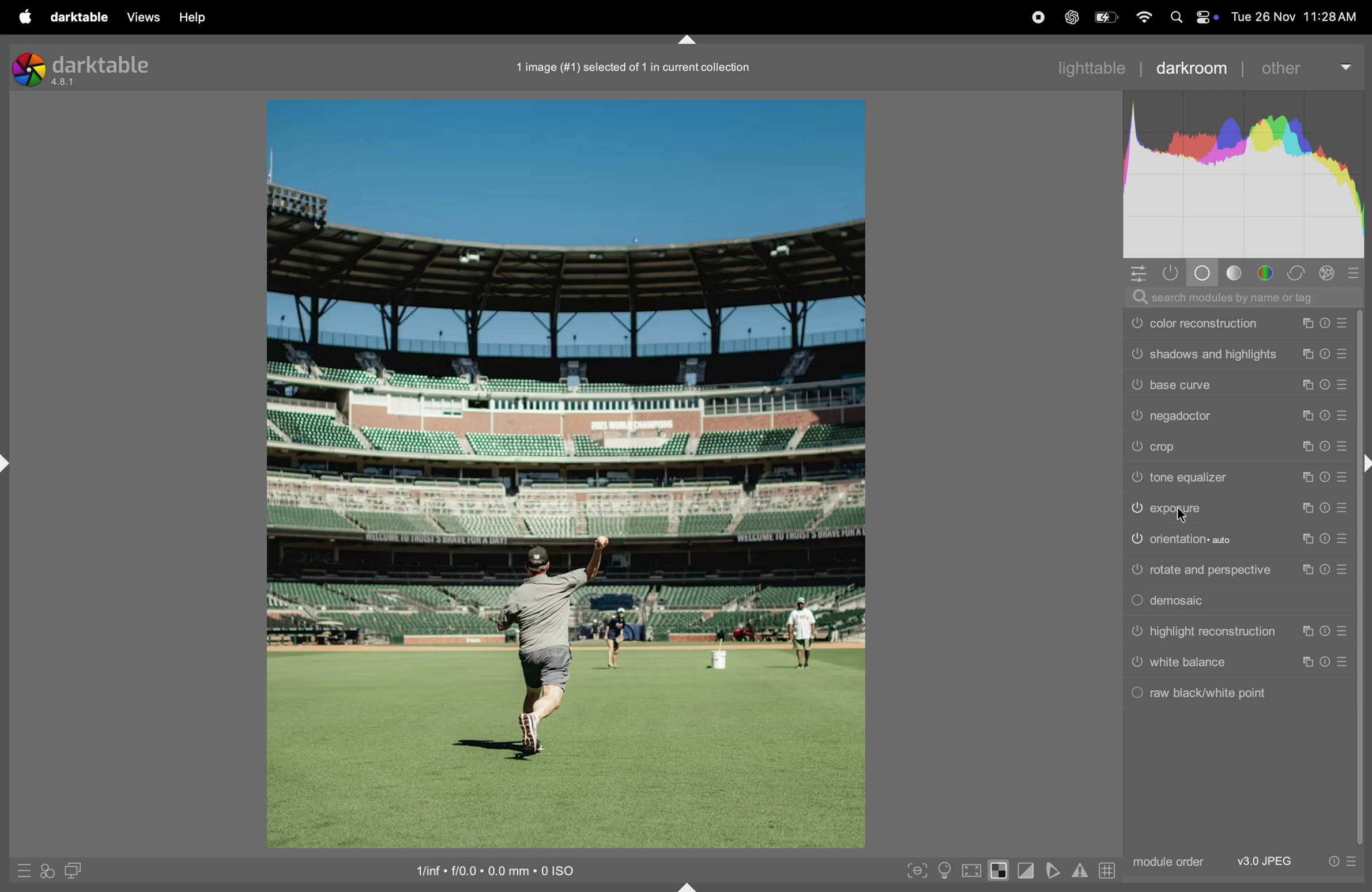 The image size is (1372, 892). Describe the element at coordinates (1324, 447) in the screenshot. I see `reset presets` at that location.